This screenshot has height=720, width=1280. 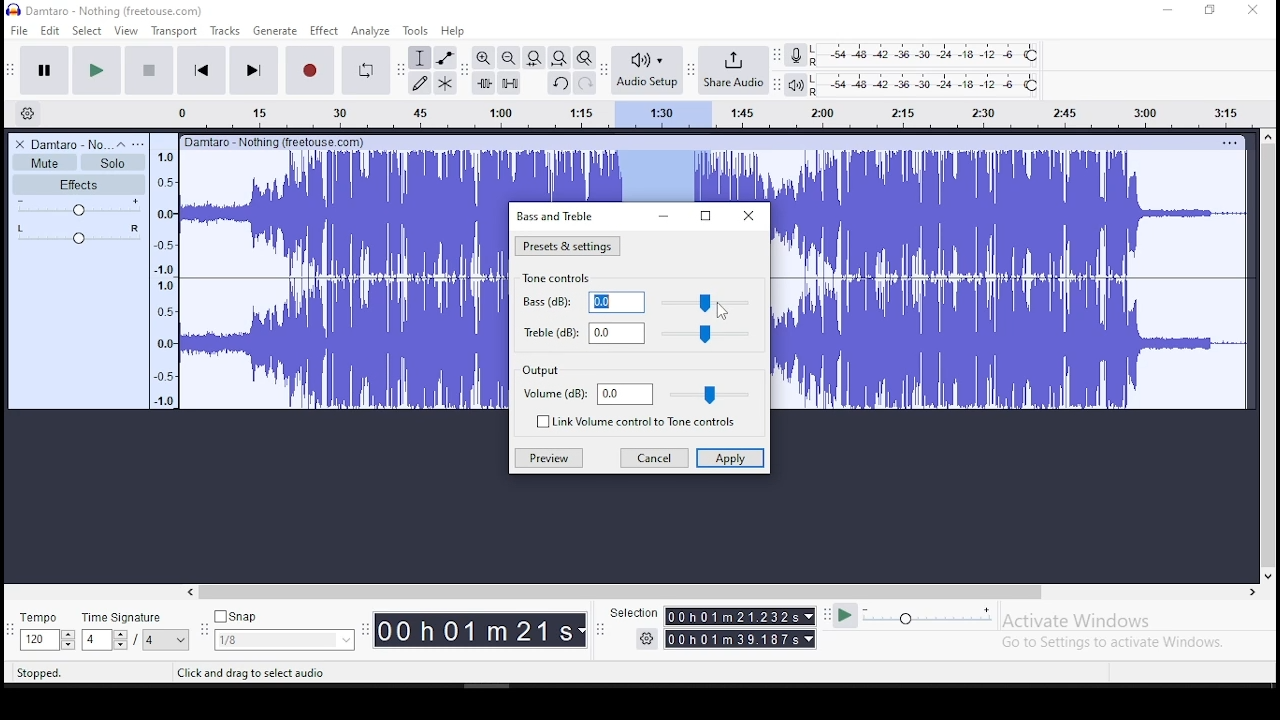 I want to click on solo, so click(x=113, y=163).